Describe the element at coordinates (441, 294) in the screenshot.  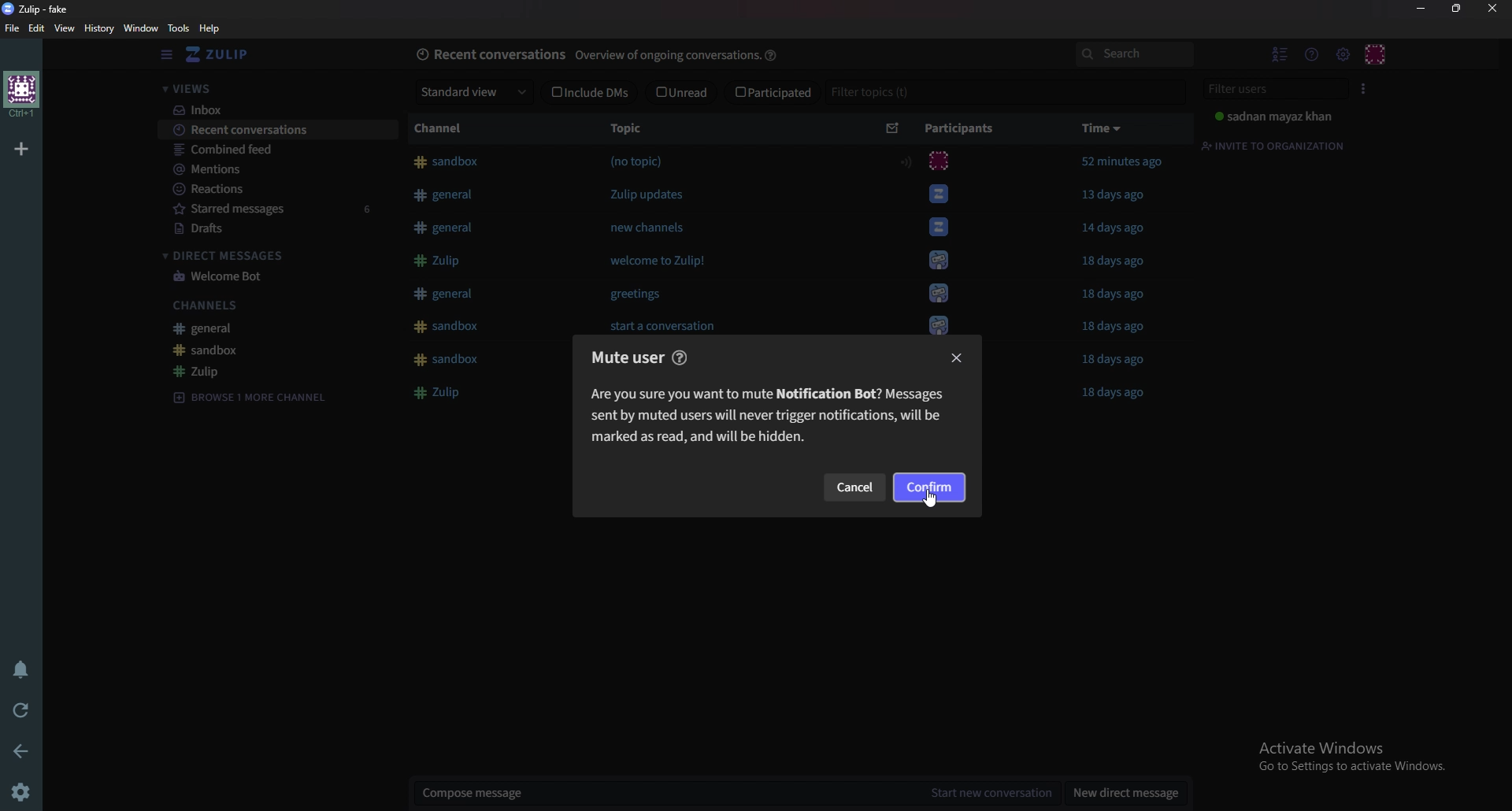
I see `#general` at that location.